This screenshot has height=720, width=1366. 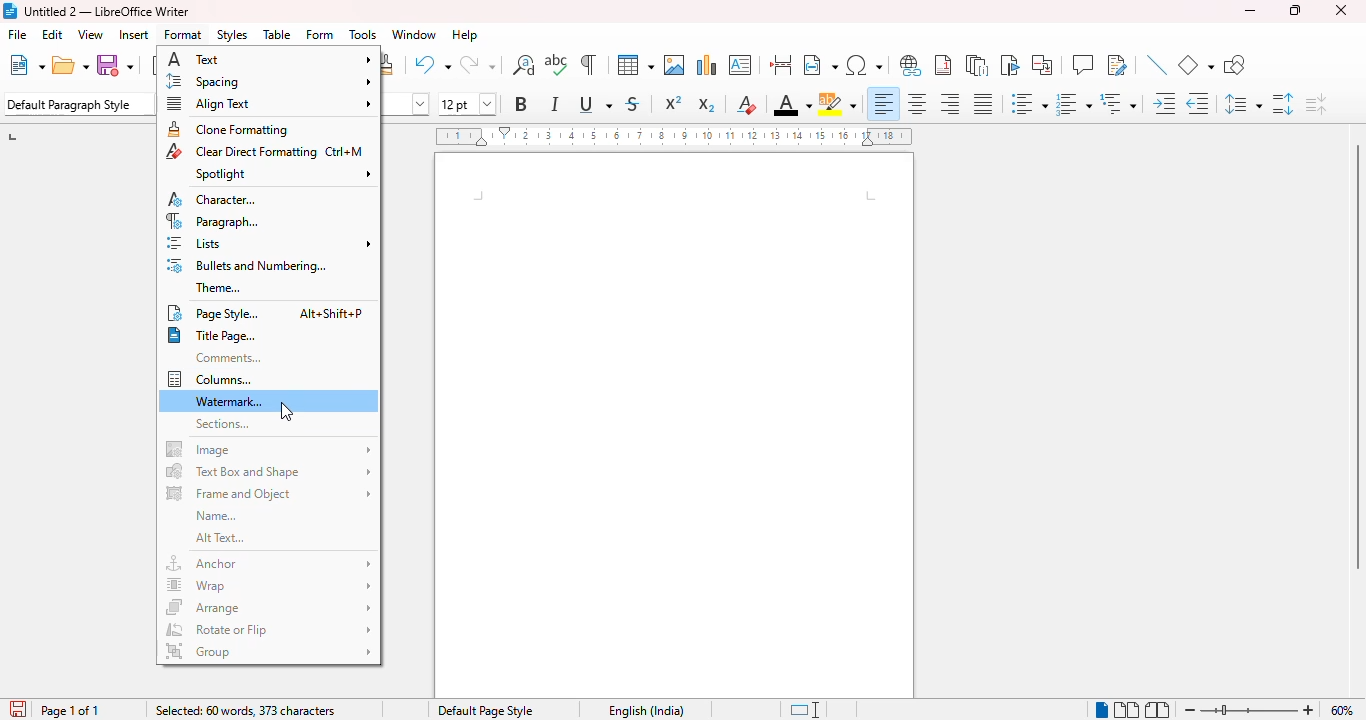 I want to click on cursor, so click(x=288, y=411).